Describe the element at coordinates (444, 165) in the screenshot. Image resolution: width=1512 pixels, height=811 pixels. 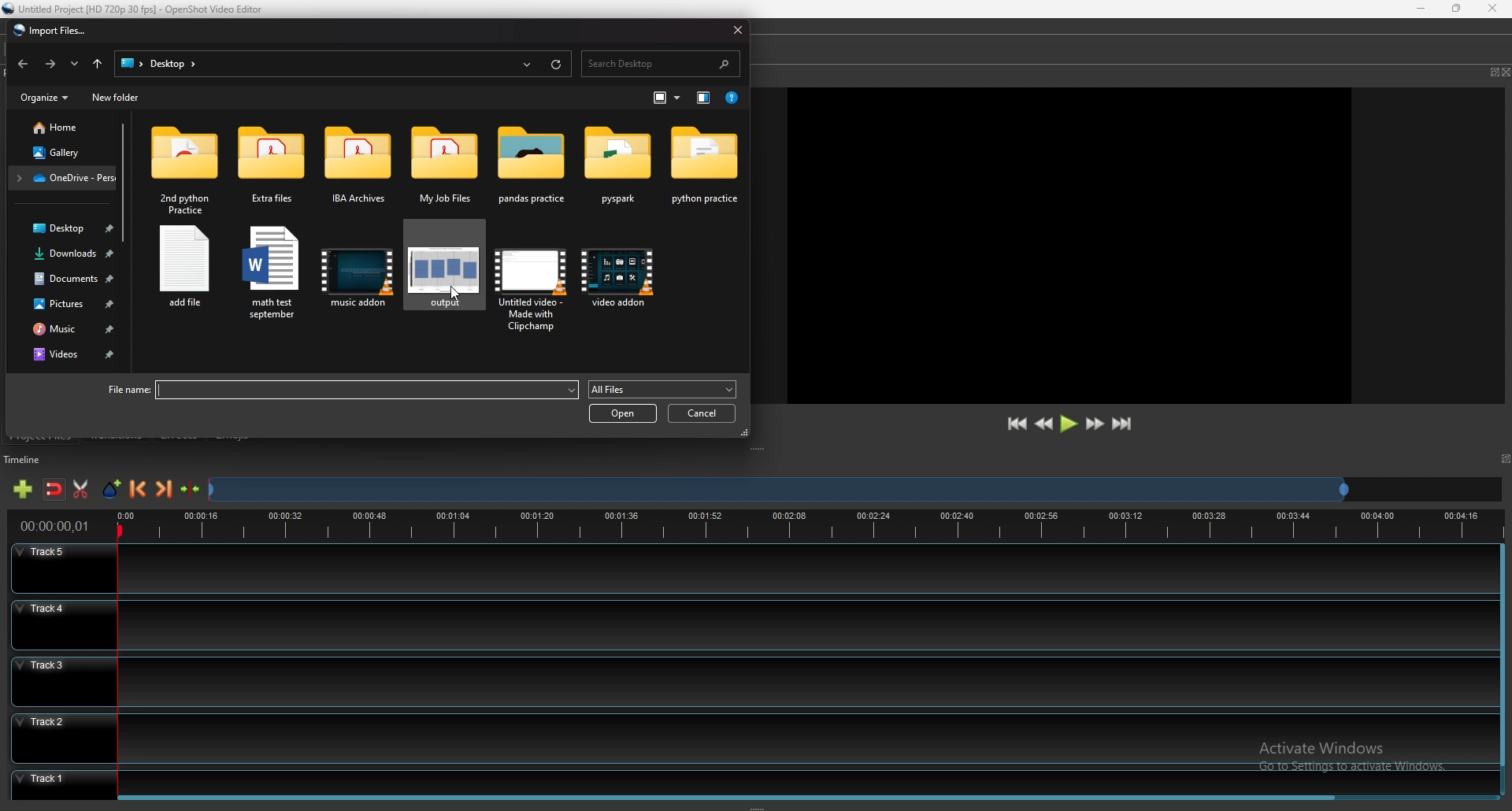
I see `folder` at that location.